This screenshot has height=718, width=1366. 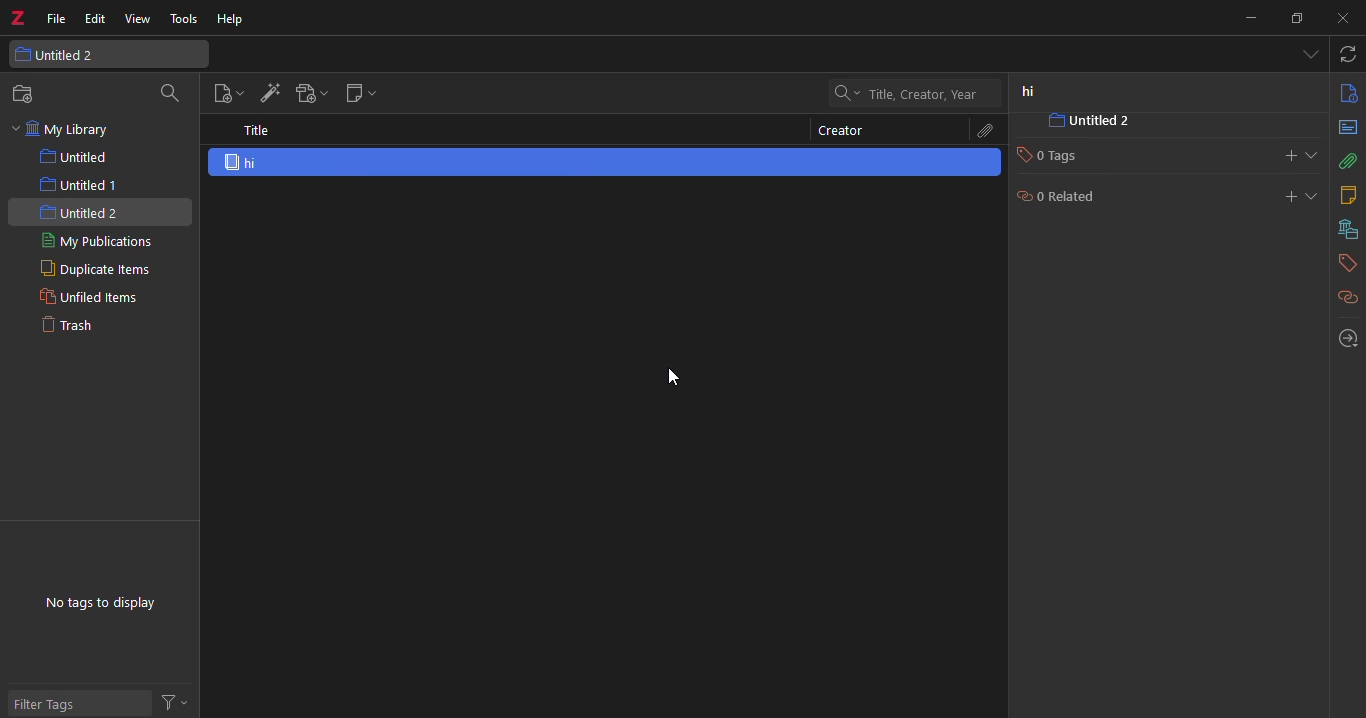 I want to click on add attach, so click(x=309, y=95).